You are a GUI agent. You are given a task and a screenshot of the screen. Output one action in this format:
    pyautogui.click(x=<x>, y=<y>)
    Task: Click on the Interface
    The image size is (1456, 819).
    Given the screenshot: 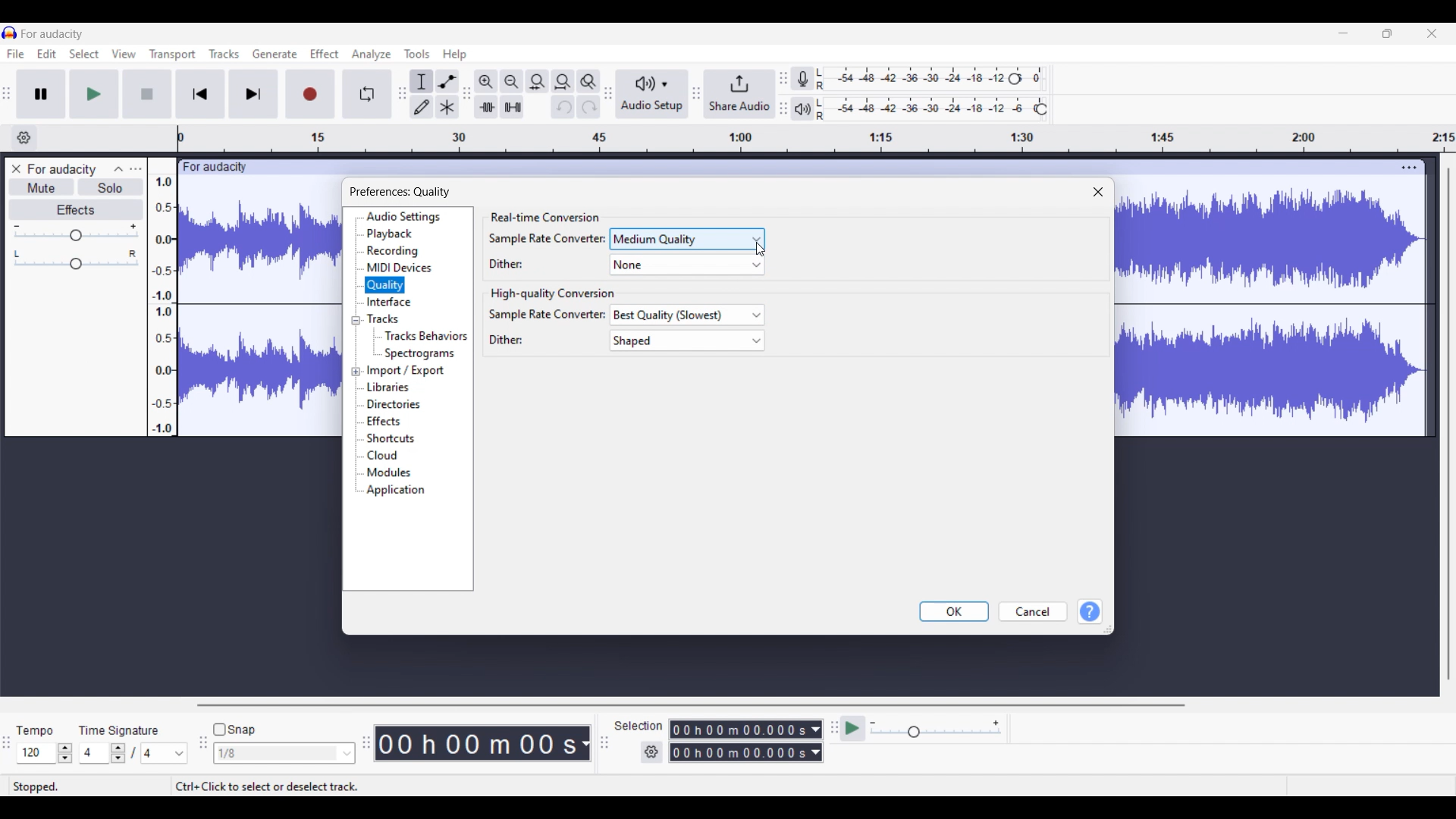 What is the action you would take?
    pyautogui.click(x=389, y=302)
    